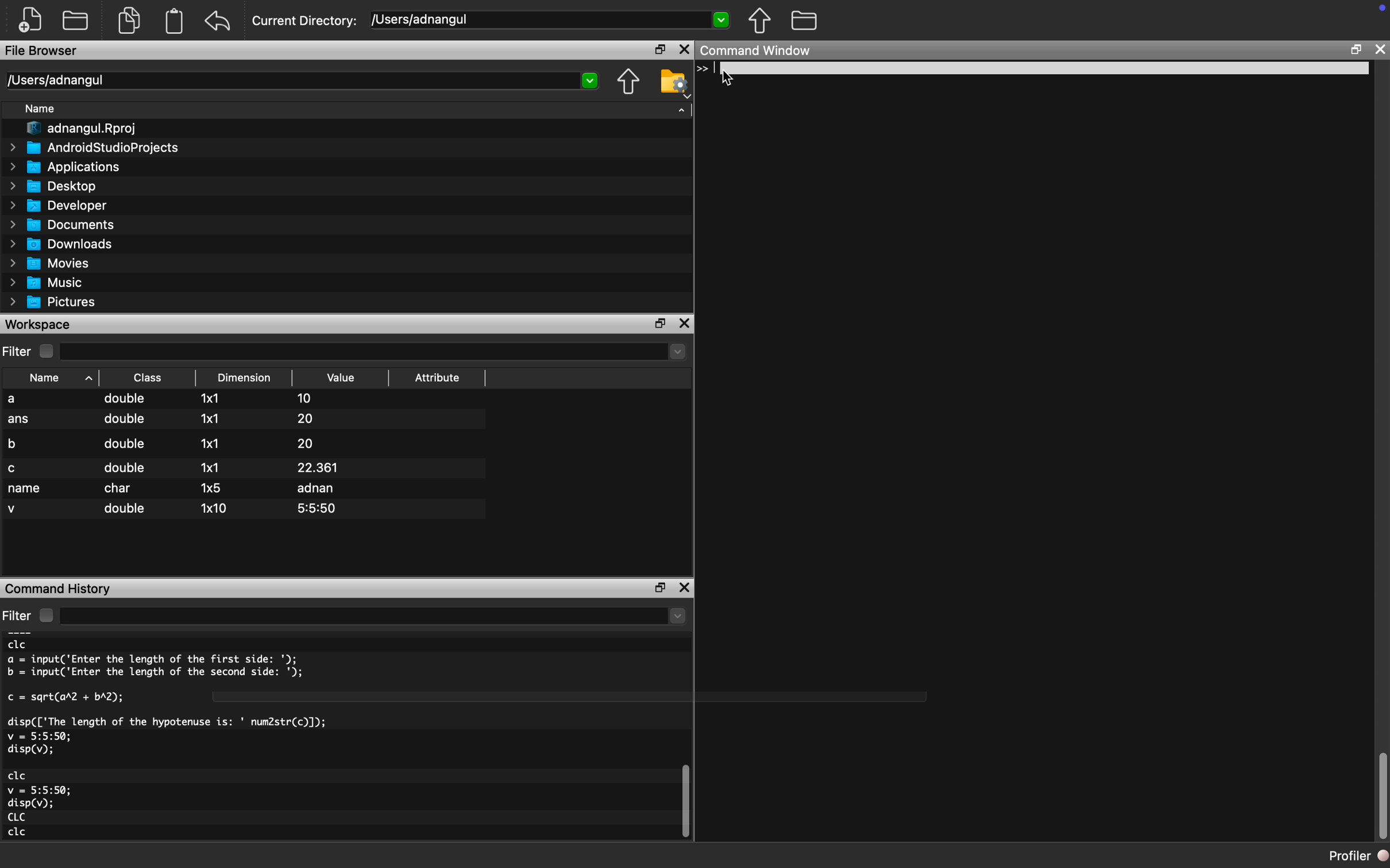 The width and height of the screenshot is (1390, 868). I want to click on Profiler, so click(1349, 853).